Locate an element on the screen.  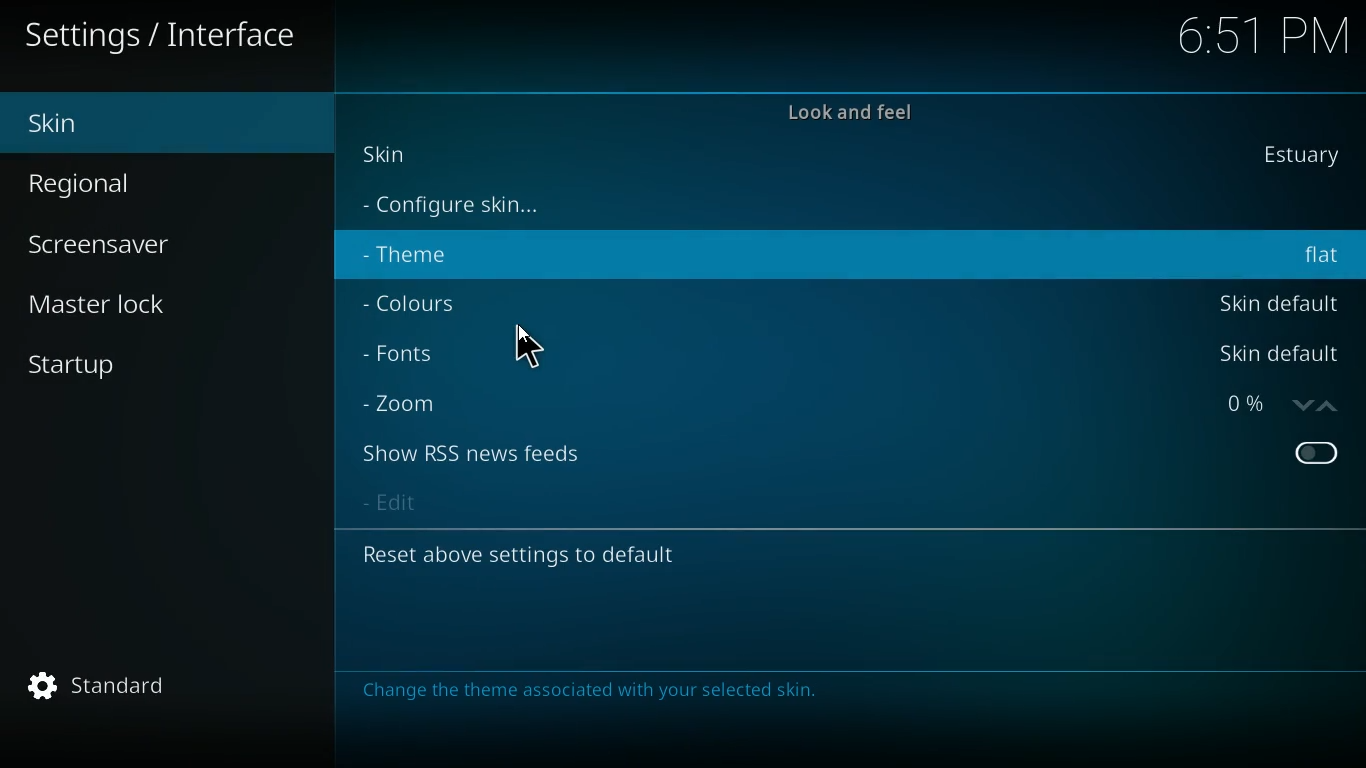
edit is located at coordinates (394, 505).